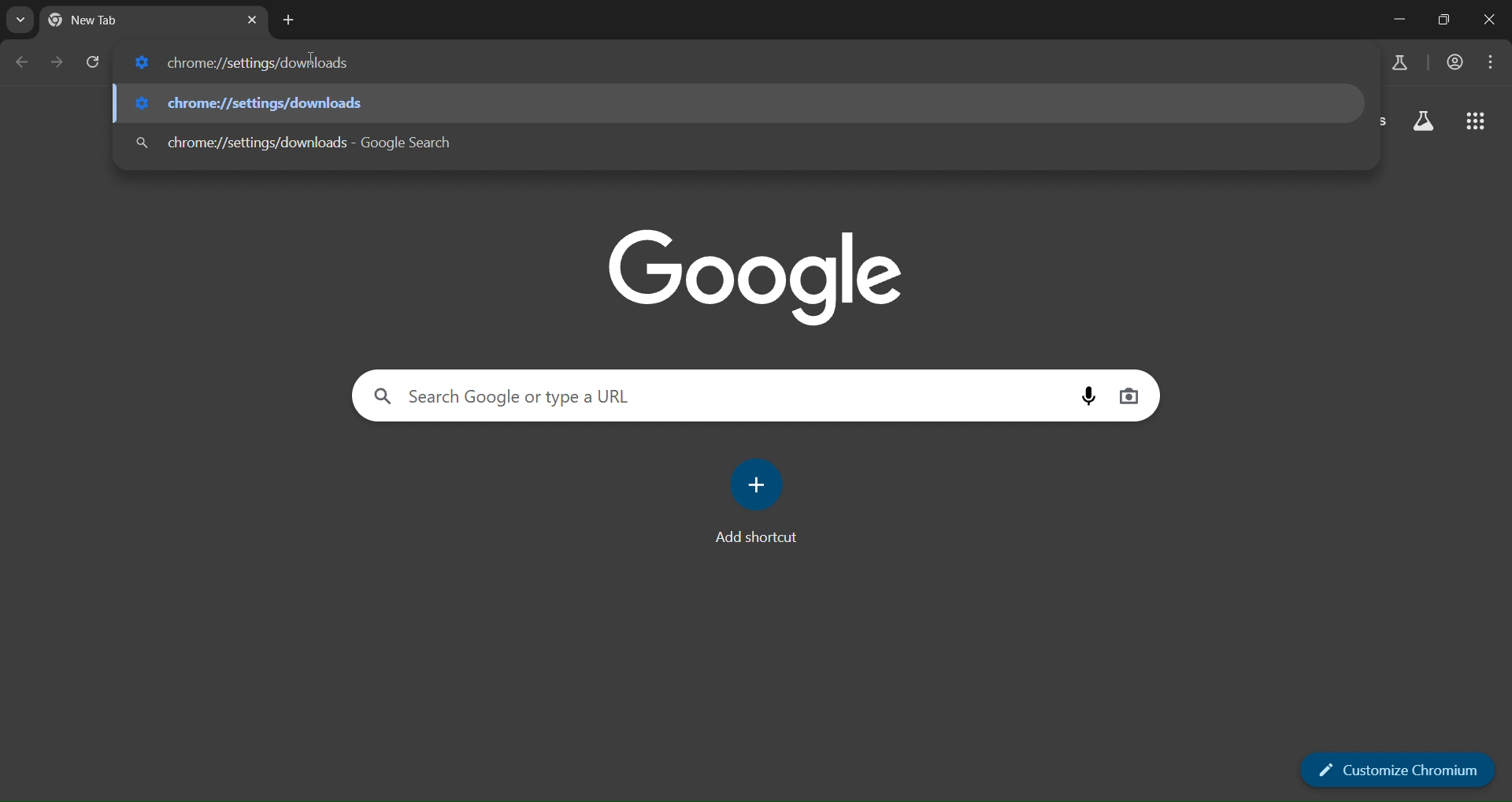  What do you see at coordinates (302, 142) in the screenshot?
I see `chrome://settings/downloads` at bounding box center [302, 142].